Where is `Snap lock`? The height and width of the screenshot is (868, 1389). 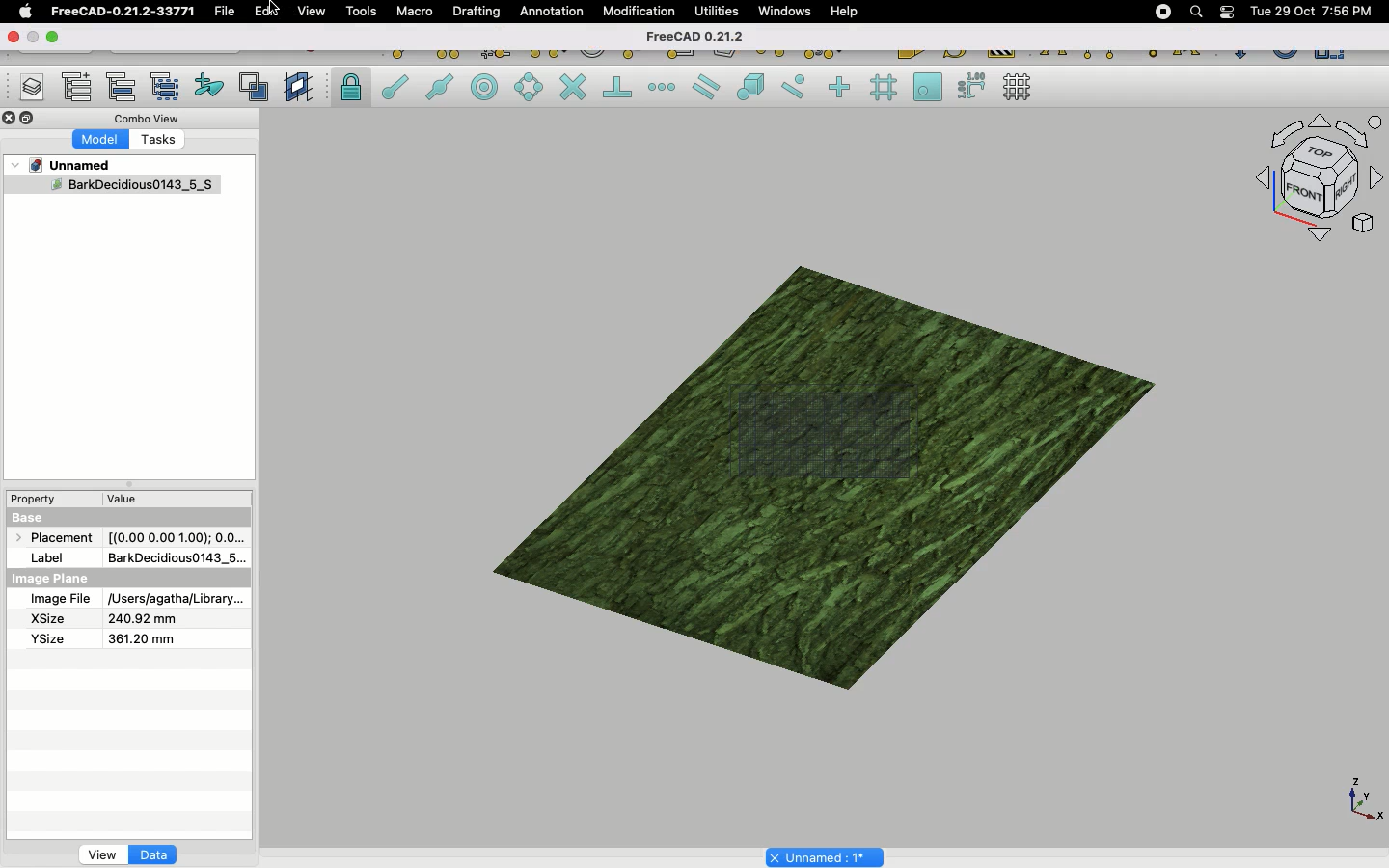 Snap lock is located at coordinates (353, 87).